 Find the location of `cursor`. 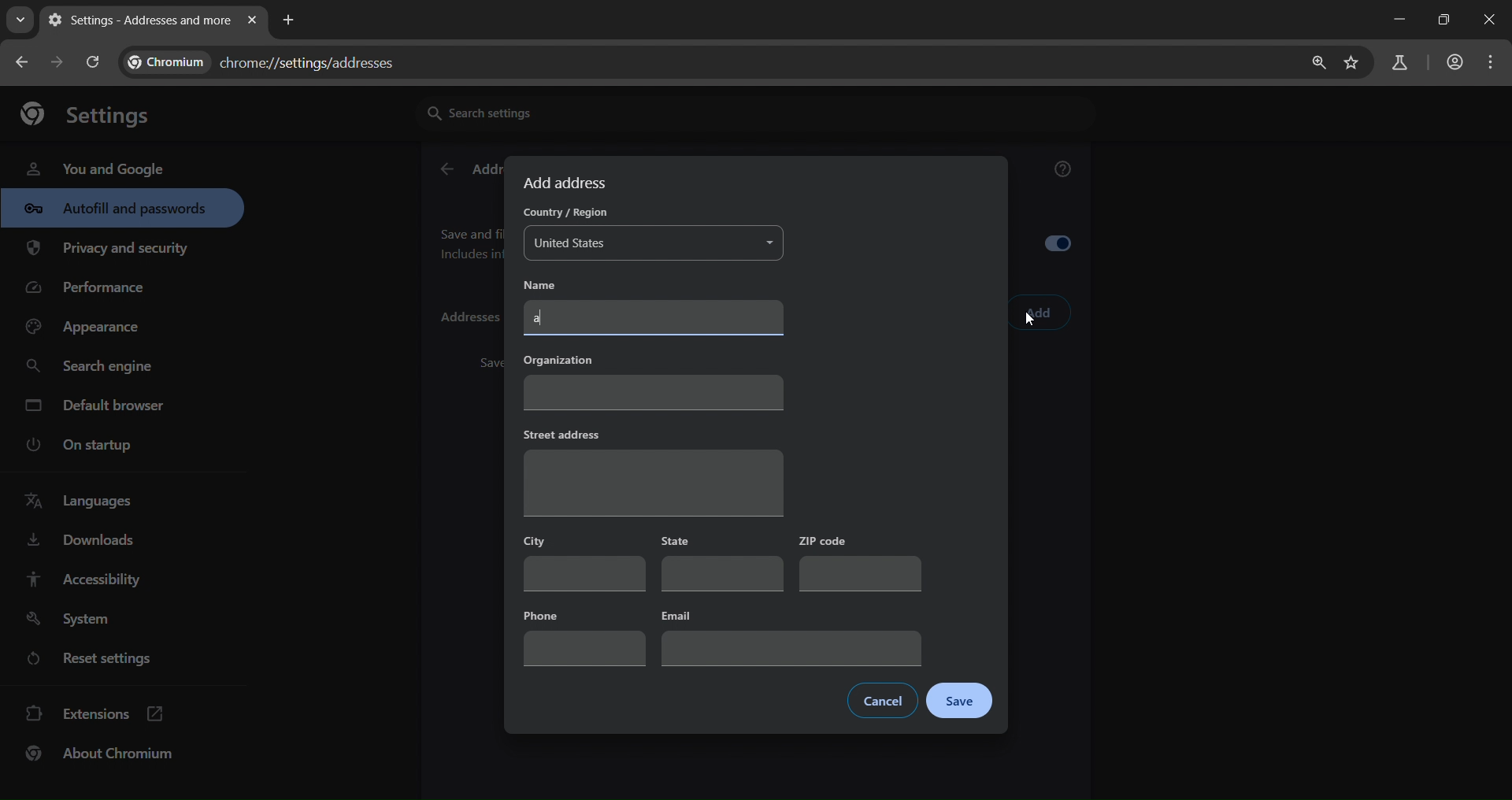

cursor is located at coordinates (1030, 323).